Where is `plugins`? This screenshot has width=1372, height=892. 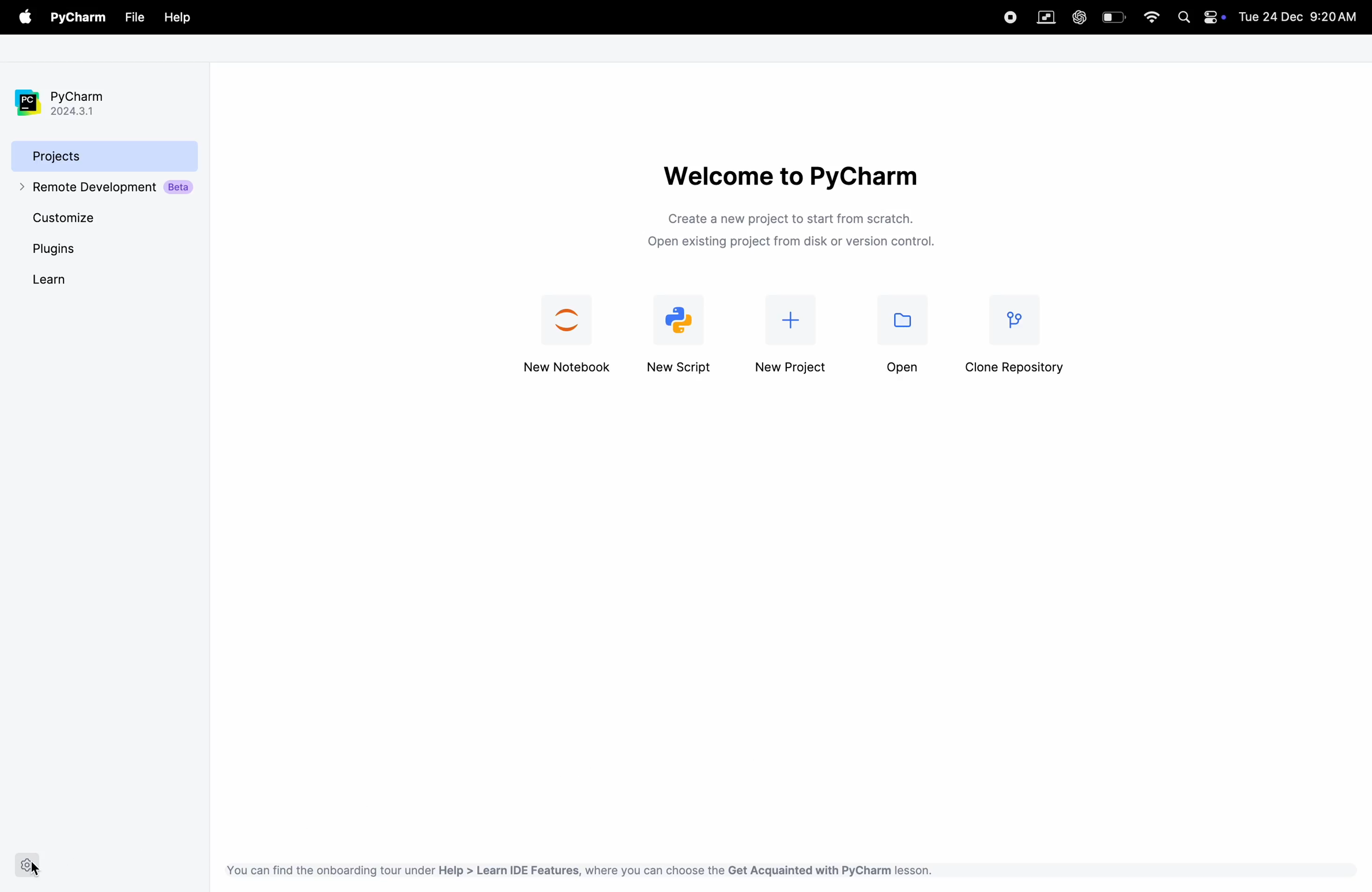 plugins is located at coordinates (77, 249).